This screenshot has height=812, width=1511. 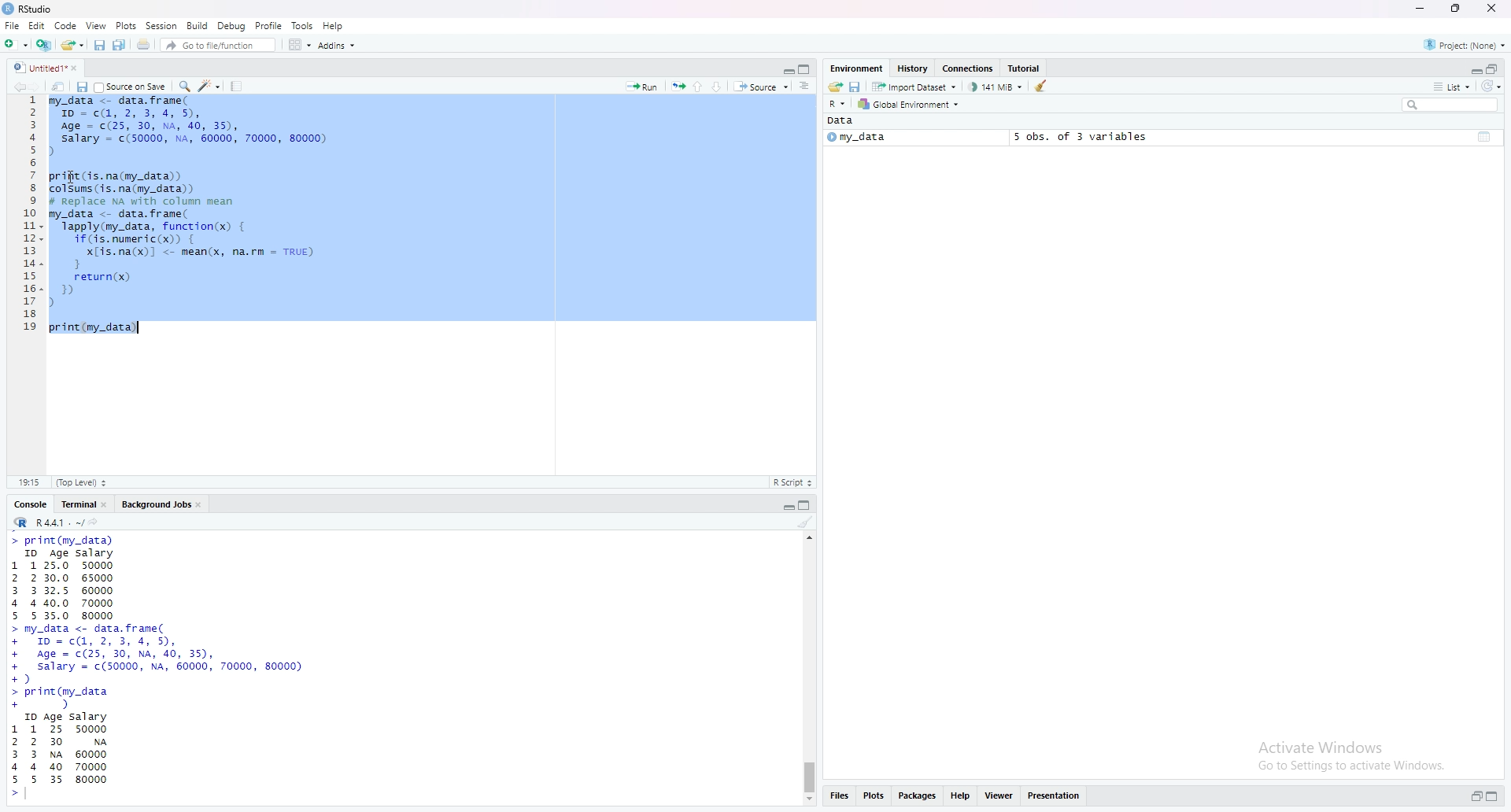 I want to click on workspace panes, so click(x=301, y=46).